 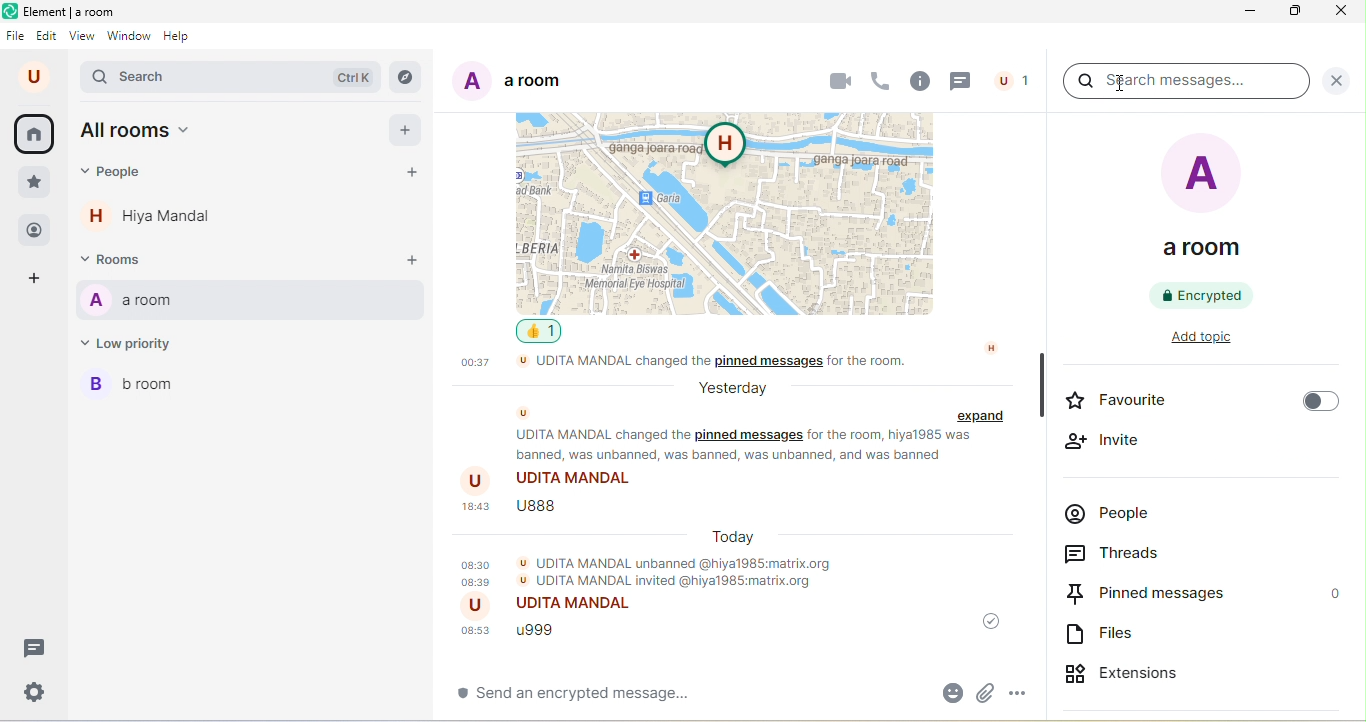 I want to click on location, so click(x=733, y=211).